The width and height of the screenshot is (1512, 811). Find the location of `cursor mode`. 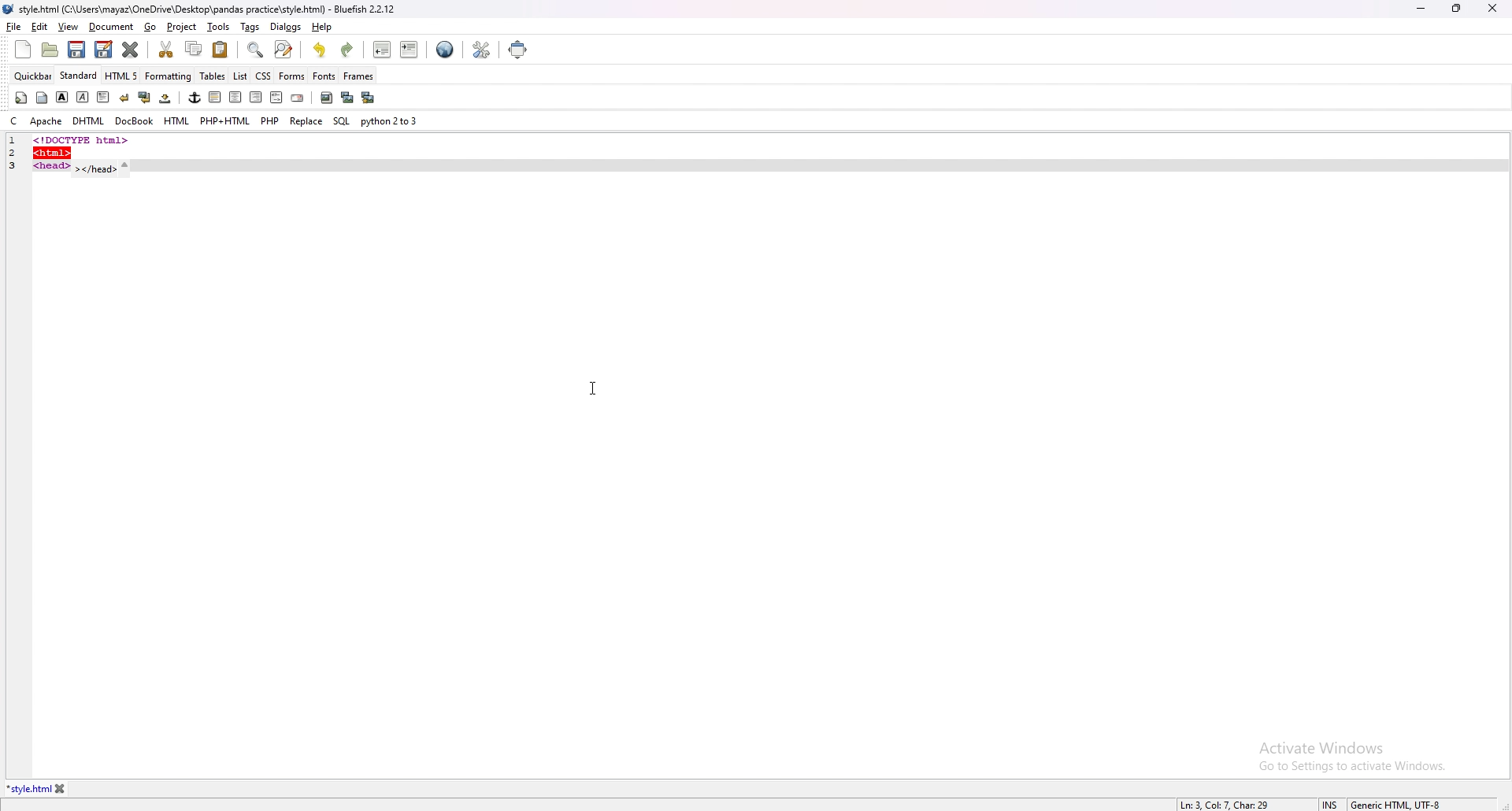

cursor mode is located at coordinates (1330, 804).